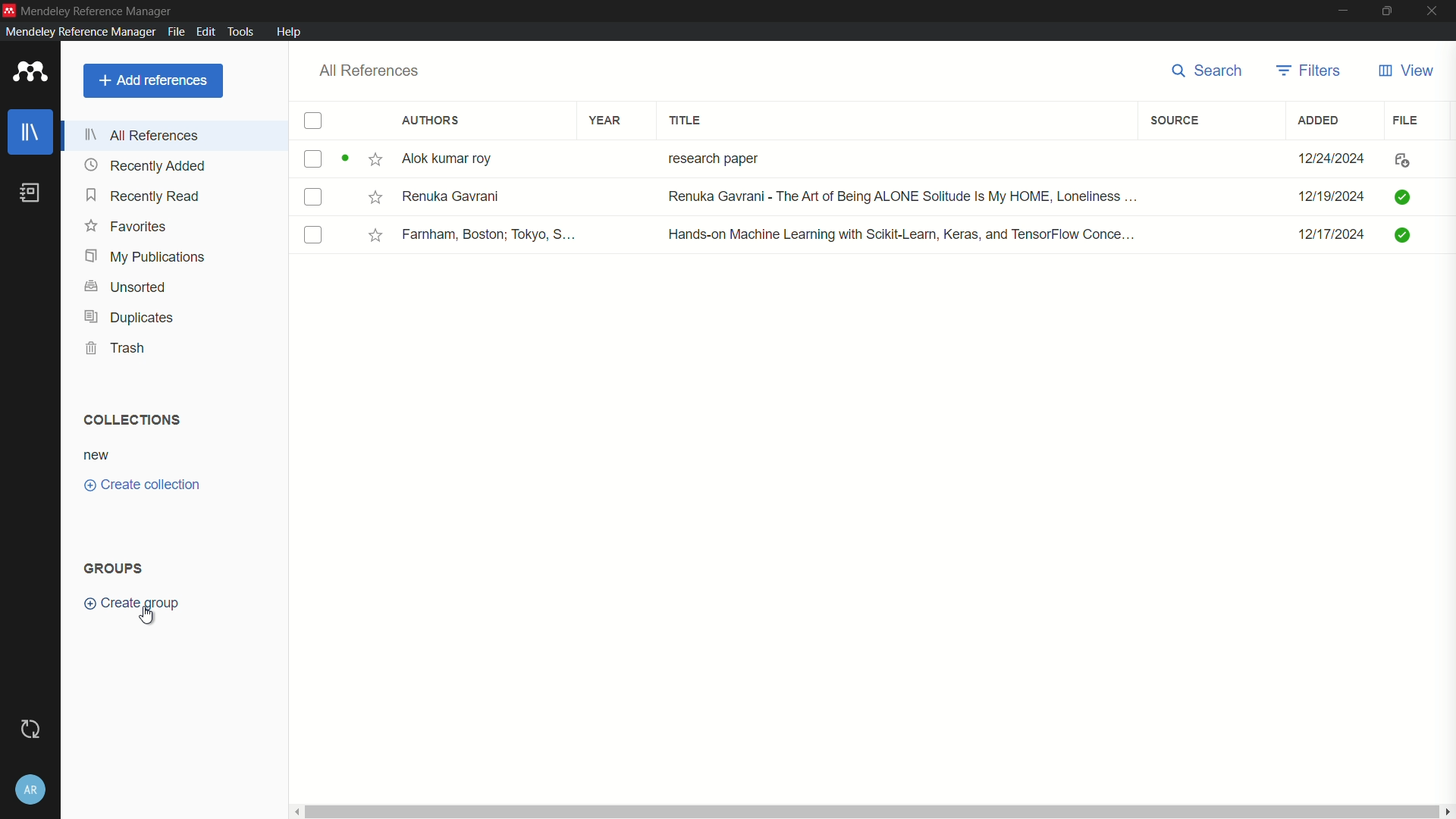  I want to click on download, so click(1398, 162).